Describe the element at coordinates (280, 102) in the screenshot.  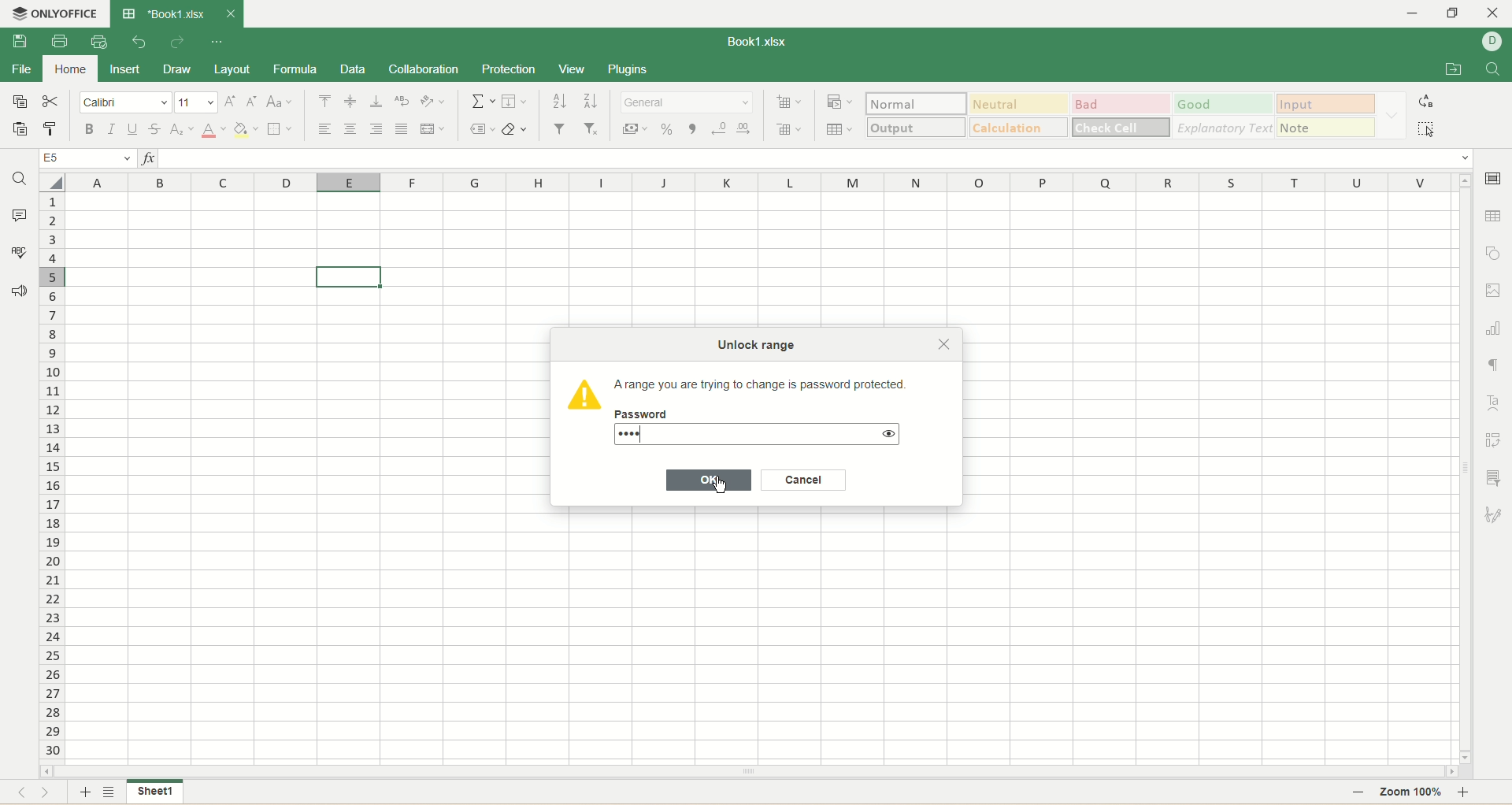
I see `change case` at that location.